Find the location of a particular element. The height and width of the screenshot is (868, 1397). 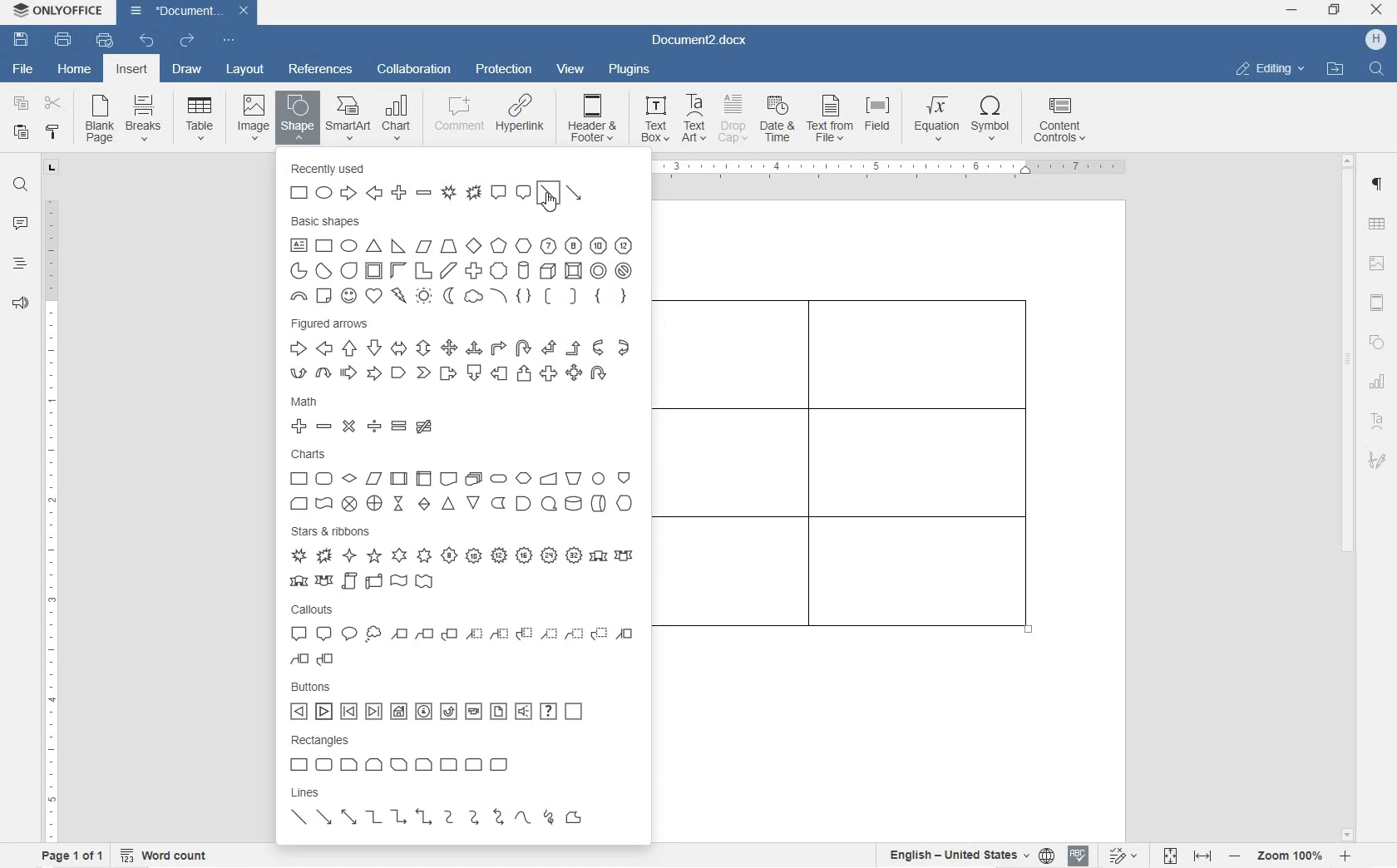

cursor is located at coordinates (550, 201).